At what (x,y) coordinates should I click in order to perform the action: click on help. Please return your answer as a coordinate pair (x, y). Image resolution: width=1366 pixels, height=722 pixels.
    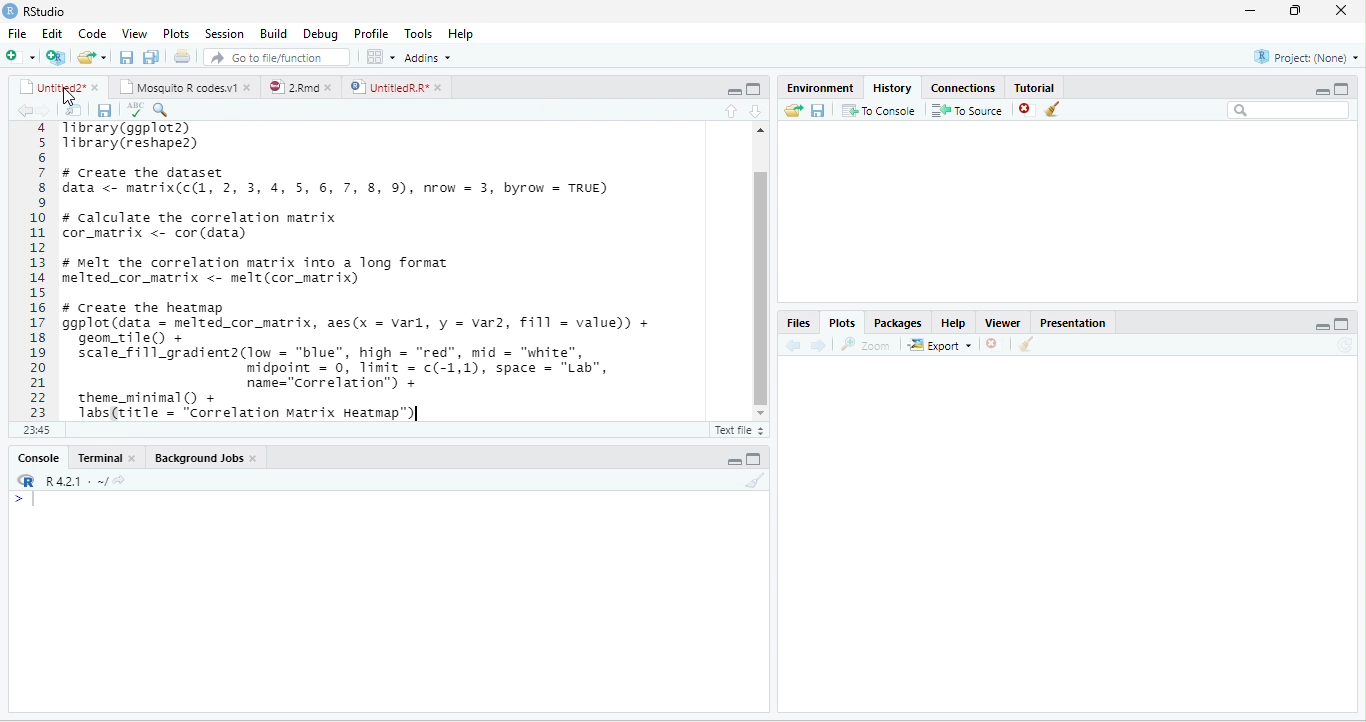
    Looking at the image, I should click on (951, 322).